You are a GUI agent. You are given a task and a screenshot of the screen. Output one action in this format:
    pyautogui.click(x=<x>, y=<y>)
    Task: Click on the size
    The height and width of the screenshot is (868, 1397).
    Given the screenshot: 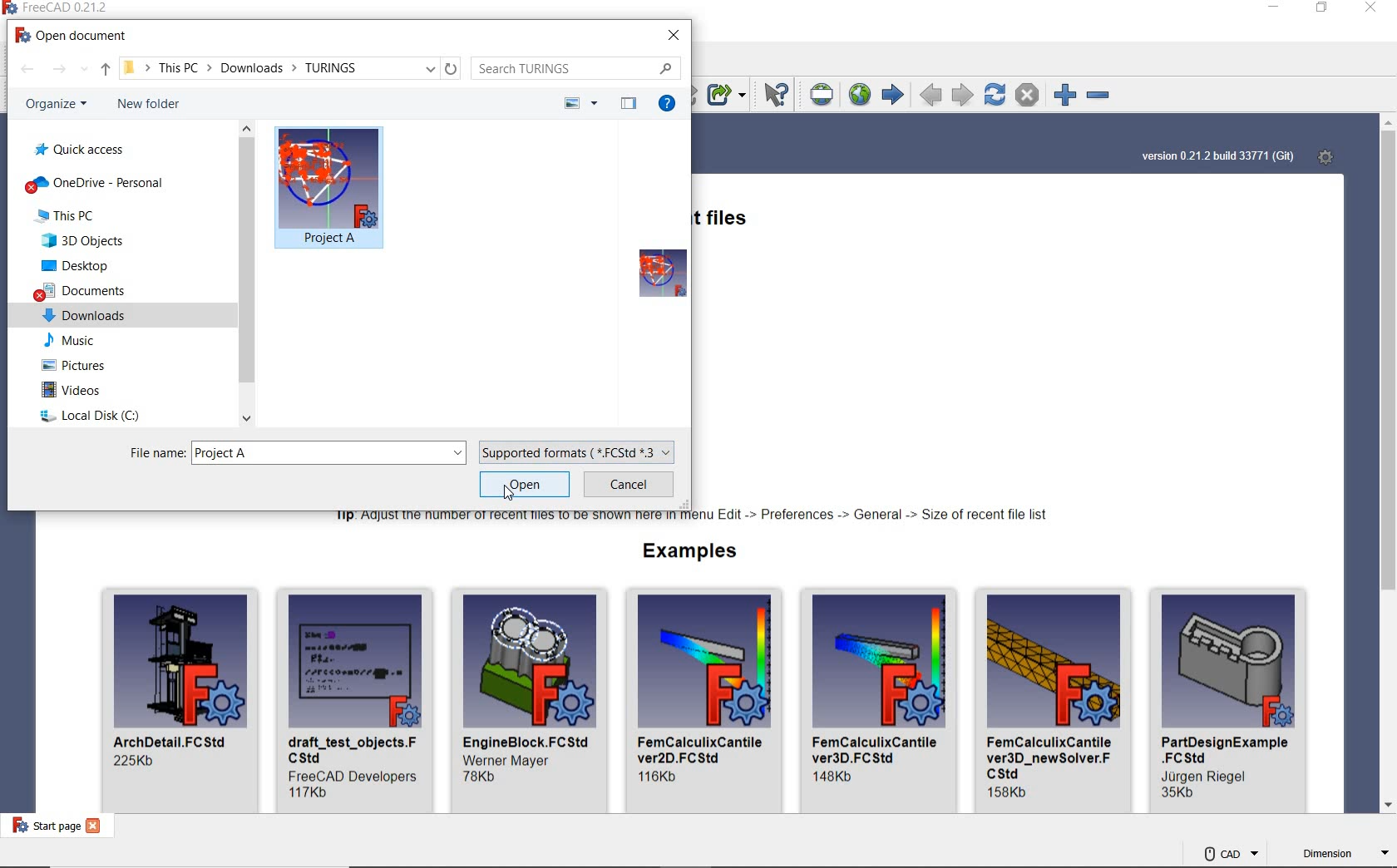 What is the action you would take?
    pyautogui.click(x=136, y=762)
    